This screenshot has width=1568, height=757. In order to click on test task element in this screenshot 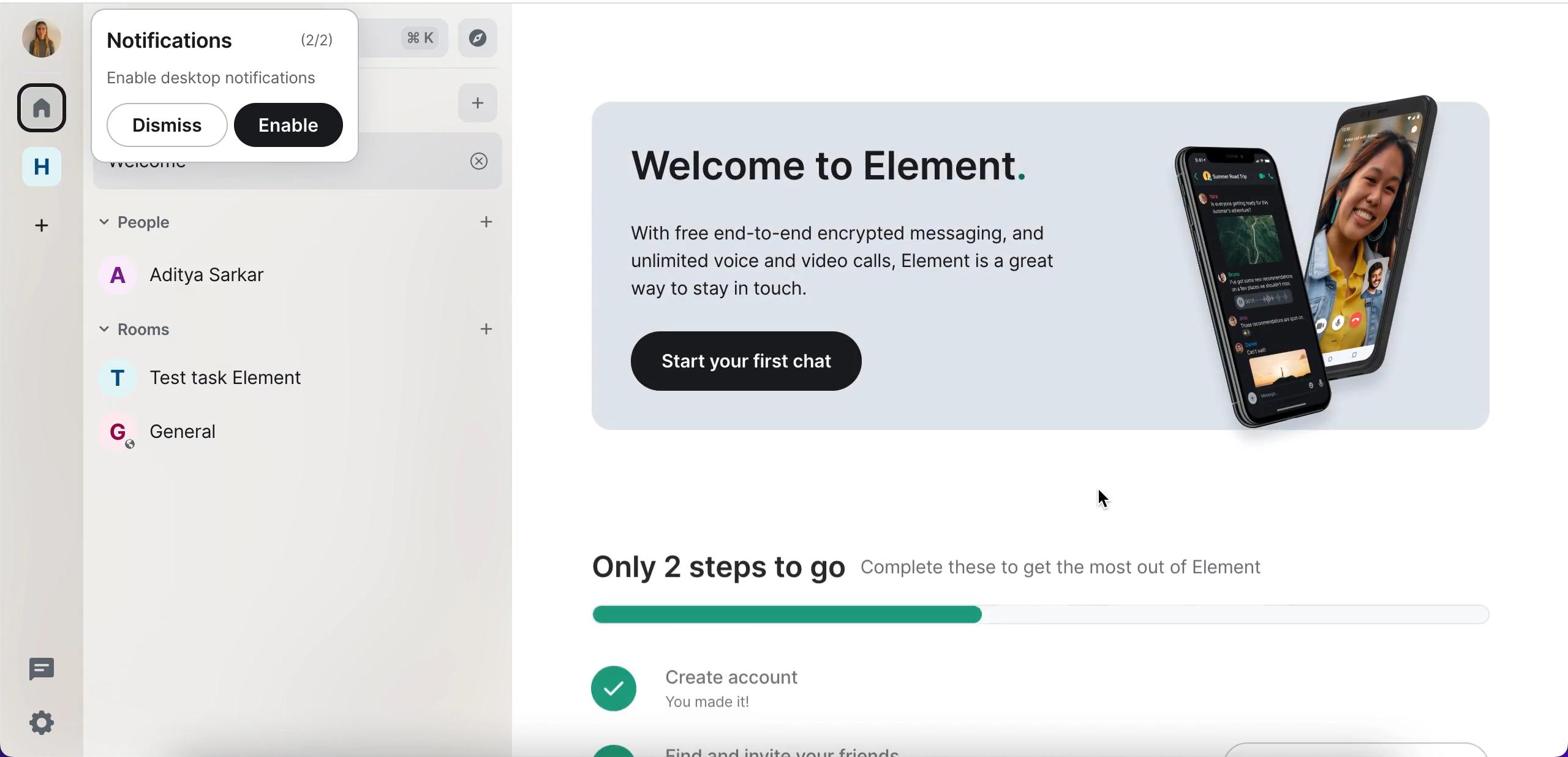, I will do `click(238, 371)`.